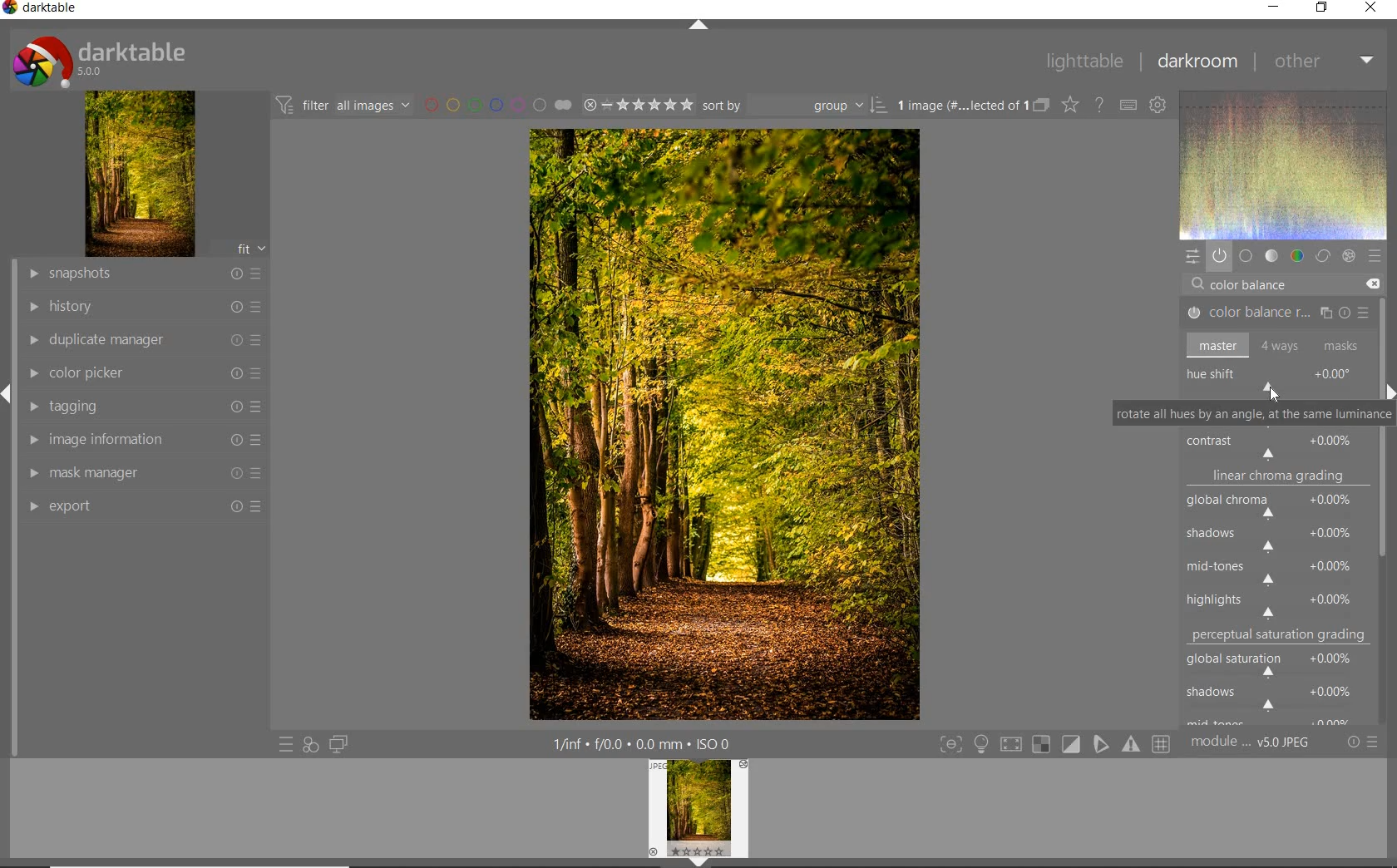  What do you see at coordinates (146, 506) in the screenshot?
I see `export` at bounding box center [146, 506].